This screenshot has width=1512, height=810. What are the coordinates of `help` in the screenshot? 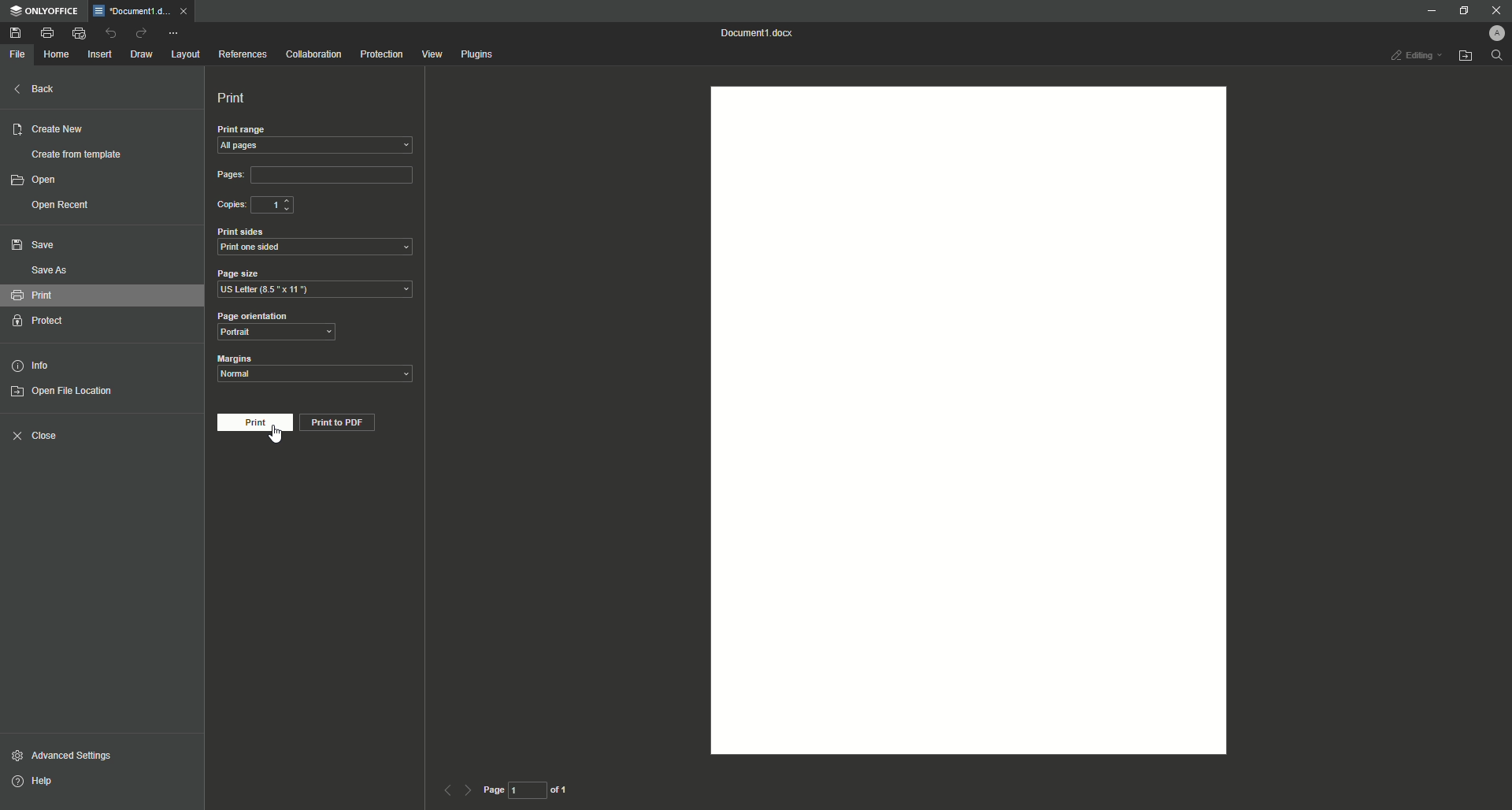 It's located at (65, 785).